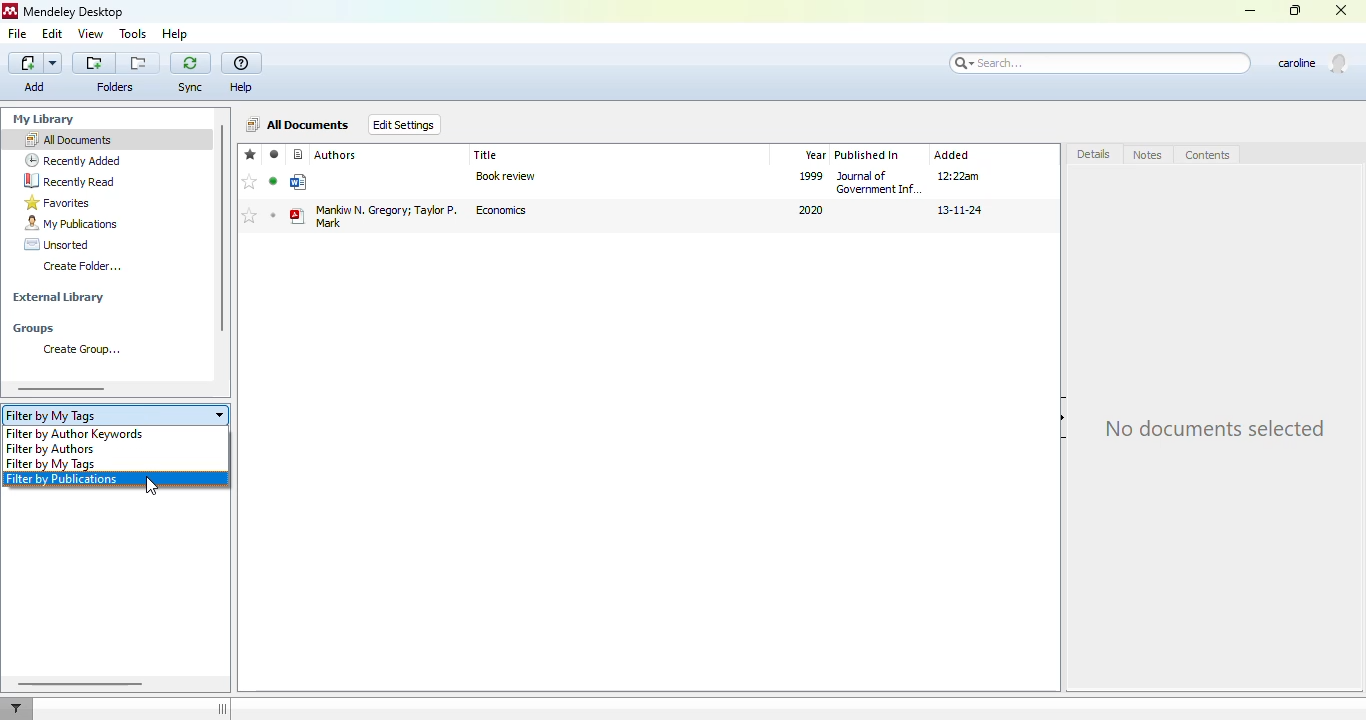  What do you see at coordinates (43, 119) in the screenshot?
I see `my library` at bounding box center [43, 119].